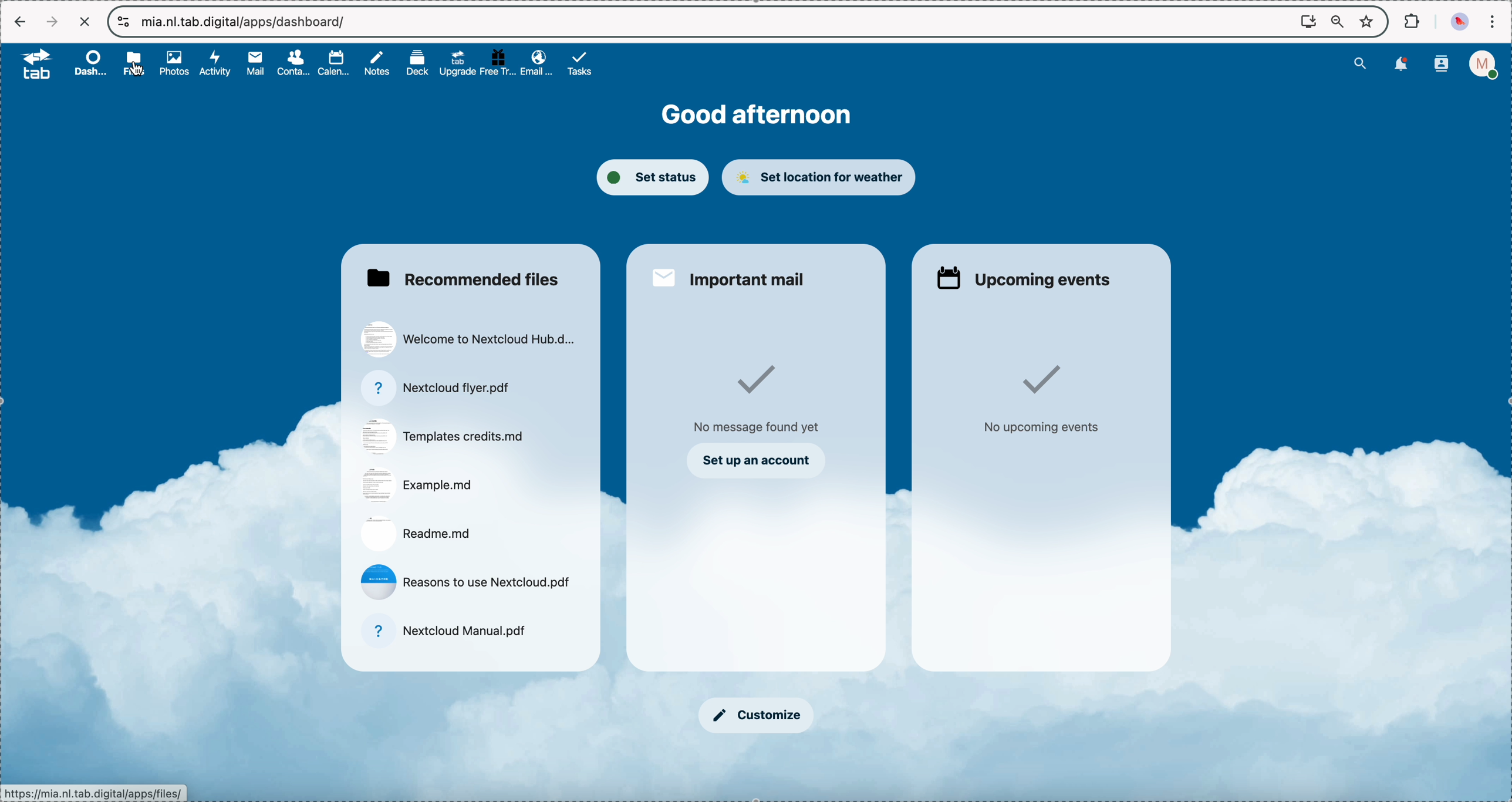  What do you see at coordinates (31, 63) in the screenshot?
I see `tab` at bounding box center [31, 63].